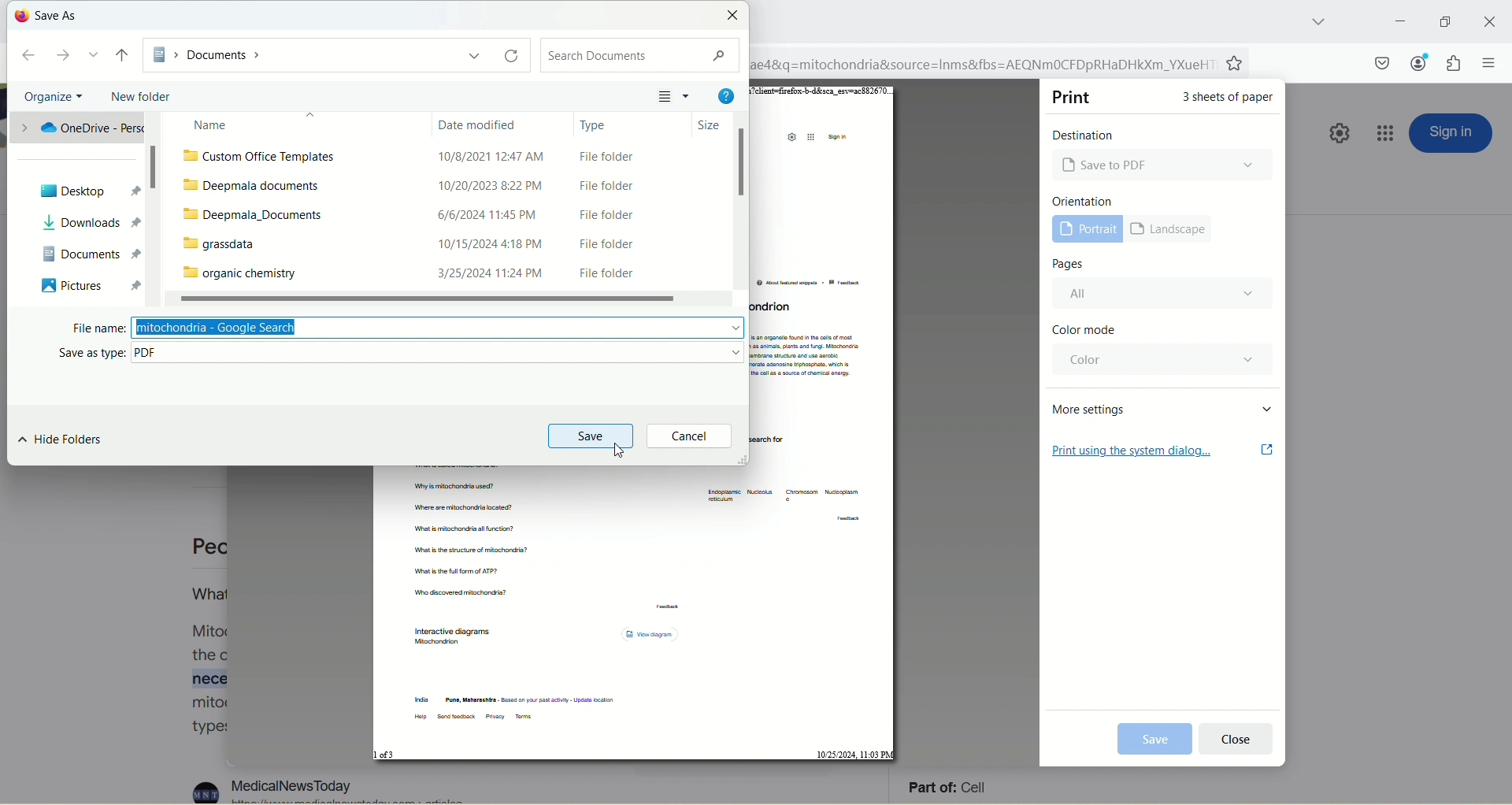 The height and width of the screenshot is (805, 1512). What do you see at coordinates (630, 124) in the screenshot?
I see `type` at bounding box center [630, 124].